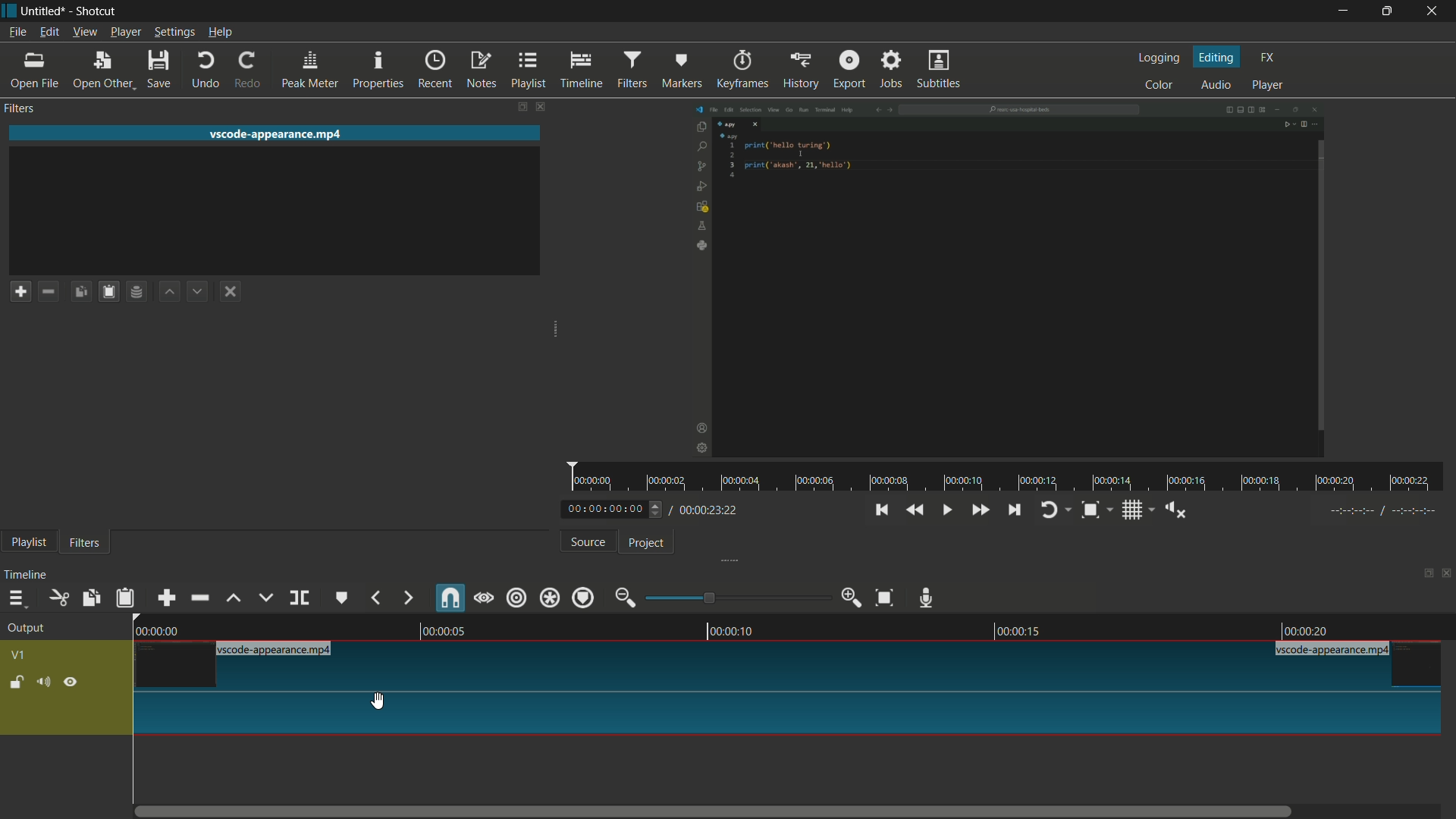 The width and height of the screenshot is (1456, 819). I want to click on toggle player looping, so click(1052, 510).